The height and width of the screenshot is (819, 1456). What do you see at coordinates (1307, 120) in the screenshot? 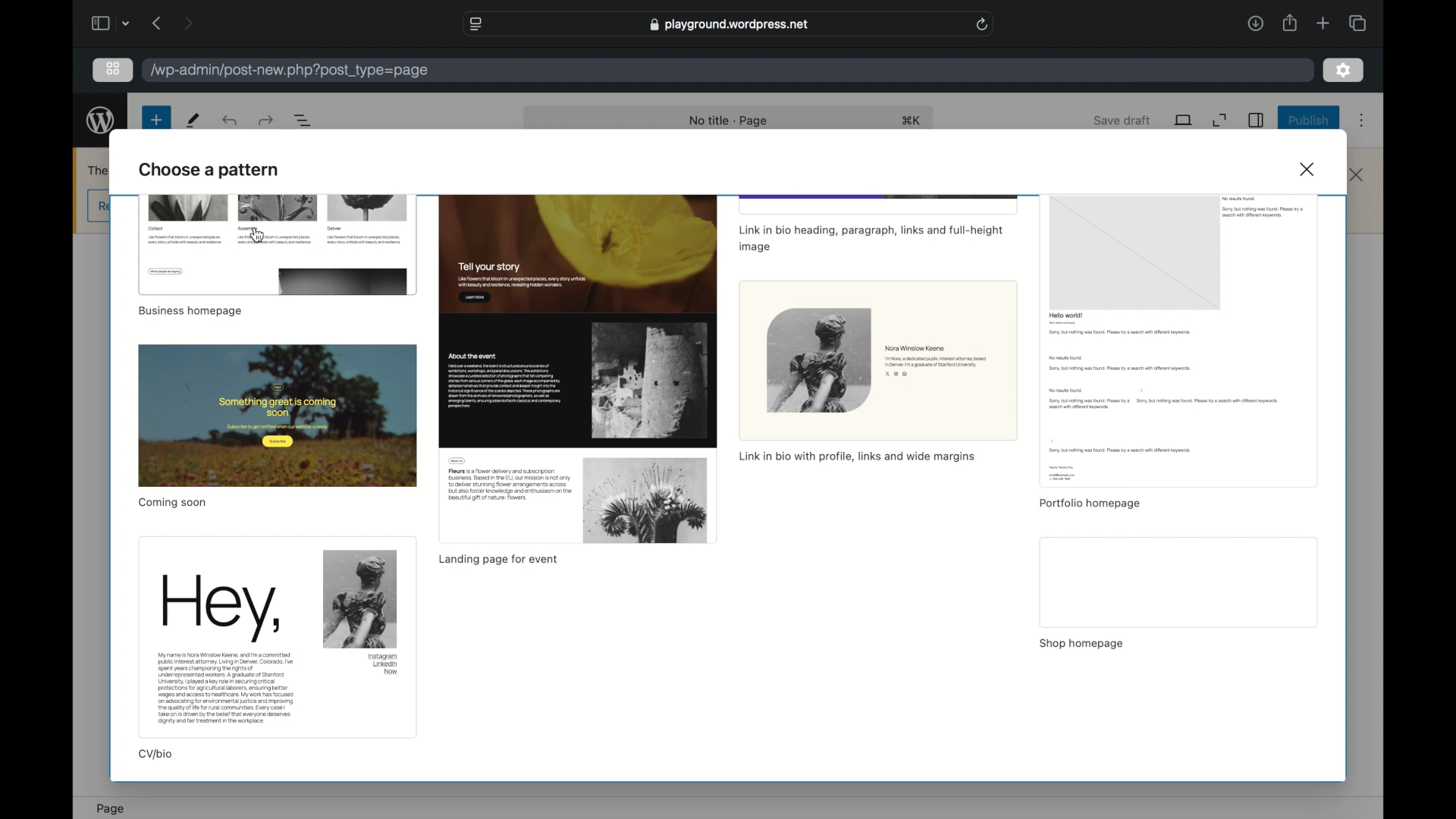
I see `publish` at bounding box center [1307, 120].